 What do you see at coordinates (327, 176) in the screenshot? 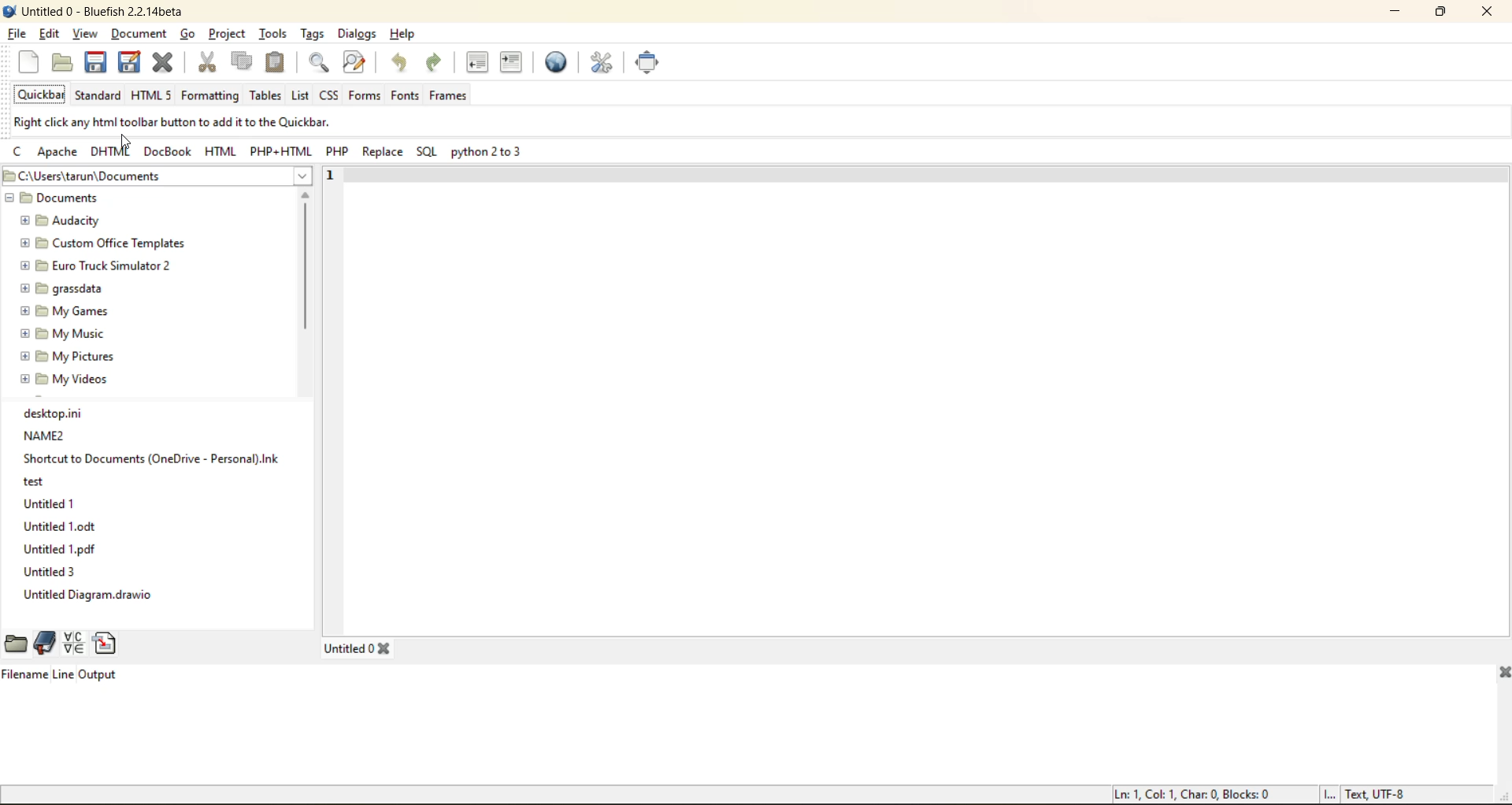
I see `1` at bounding box center [327, 176].